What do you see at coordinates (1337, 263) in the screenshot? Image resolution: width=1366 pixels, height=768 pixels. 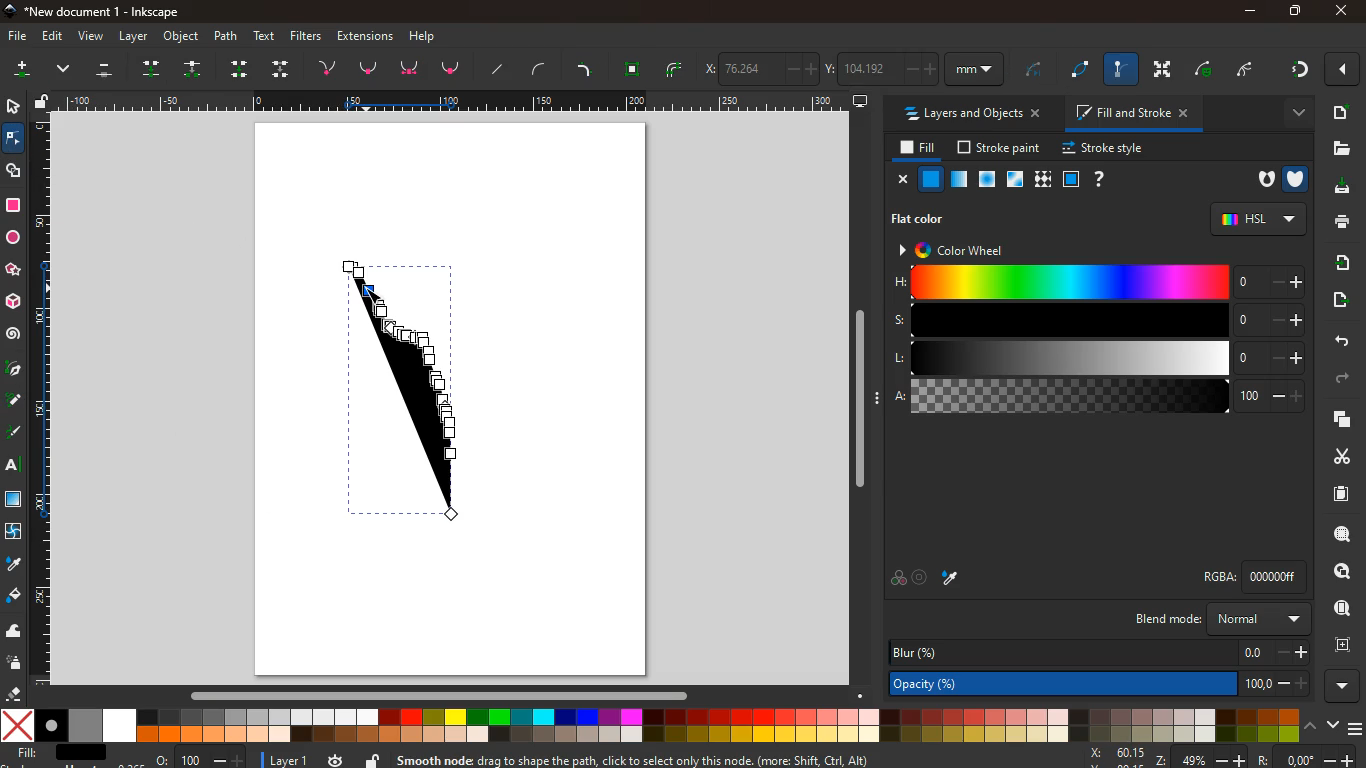 I see `receive` at bounding box center [1337, 263].